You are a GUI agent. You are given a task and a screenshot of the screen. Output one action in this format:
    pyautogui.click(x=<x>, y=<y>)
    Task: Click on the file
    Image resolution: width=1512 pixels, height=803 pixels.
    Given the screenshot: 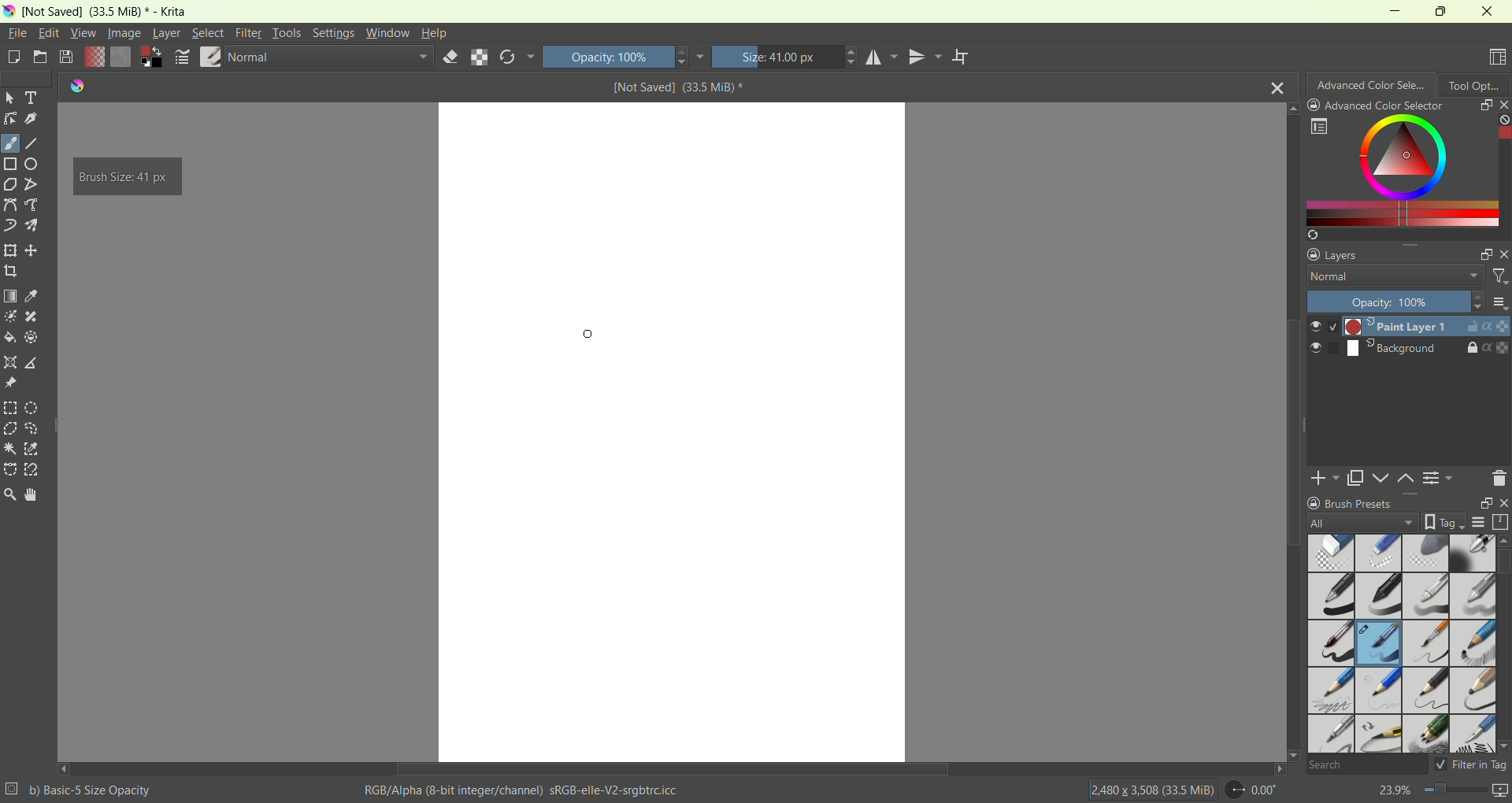 What is the action you would take?
    pyautogui.click(x=19, y=32)
    